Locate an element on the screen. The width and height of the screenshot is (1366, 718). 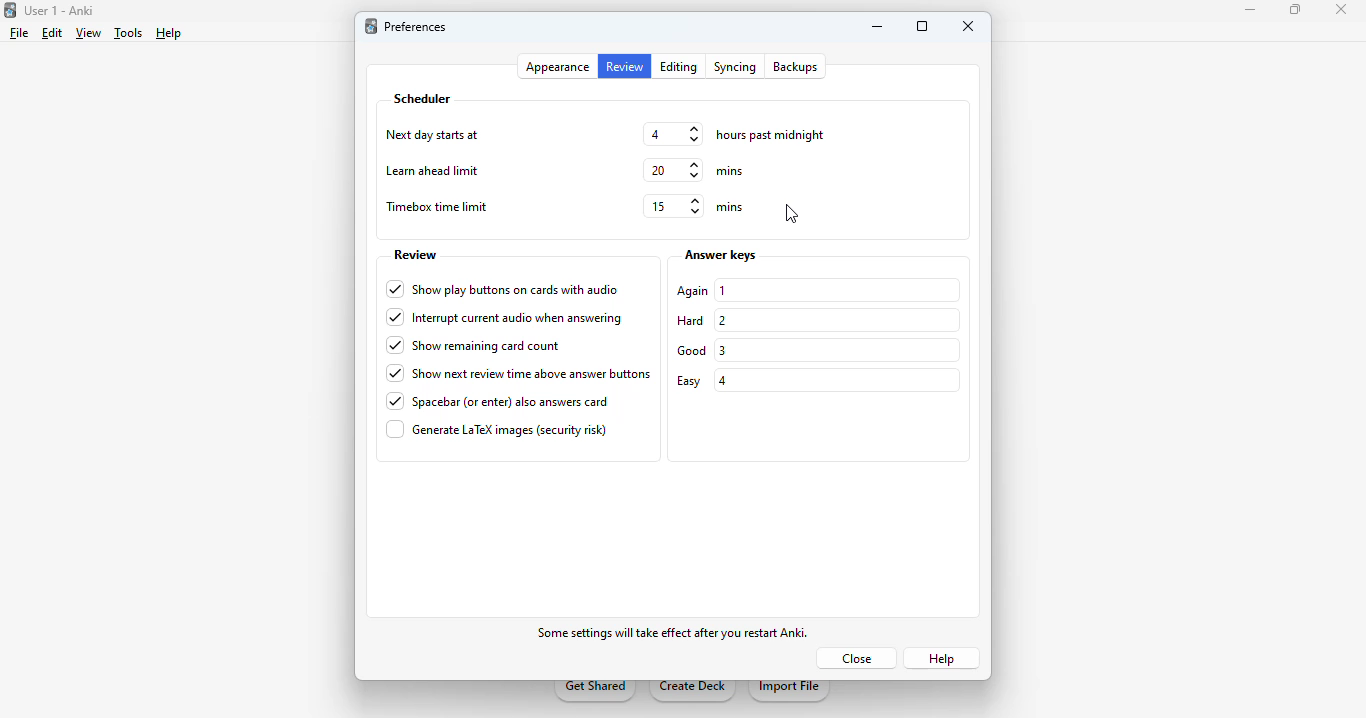
learn ahead limit is located at coordinates (432, 171).